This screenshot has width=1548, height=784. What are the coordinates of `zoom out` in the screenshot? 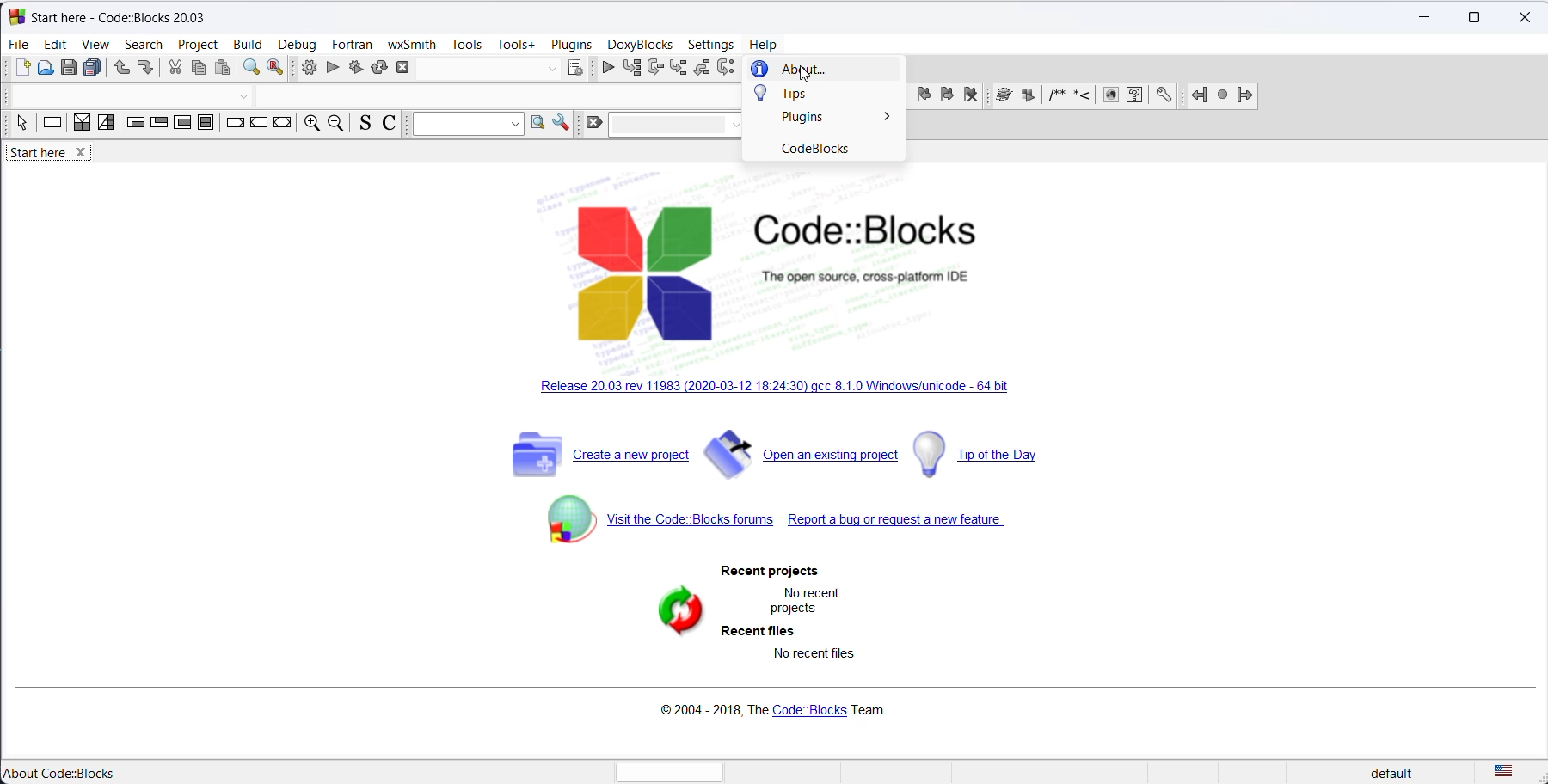 It's located at (339, 123).